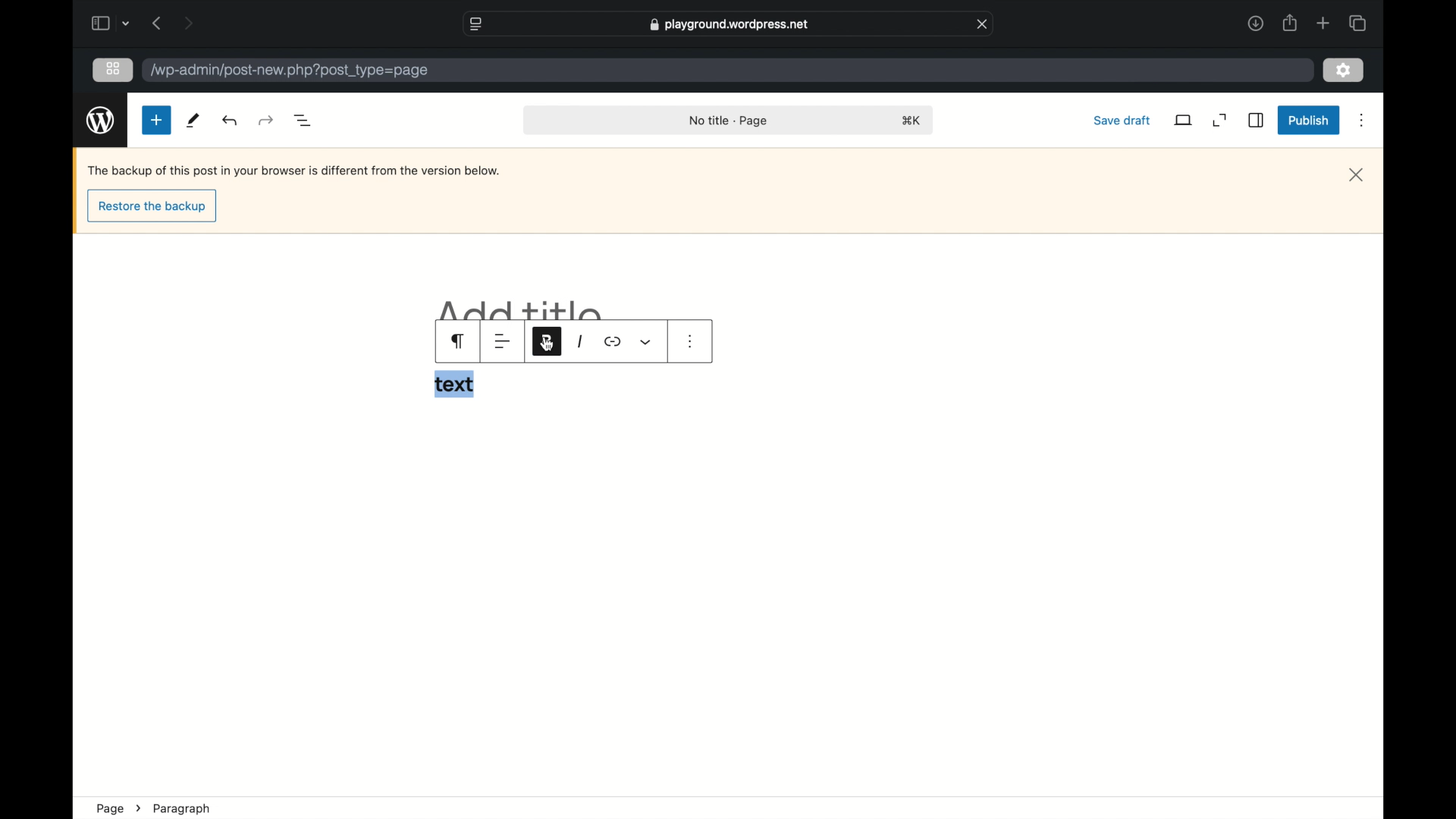  Describe the element at coordinates (1121, 120) in the screenshot. I see `save draft` at that location.